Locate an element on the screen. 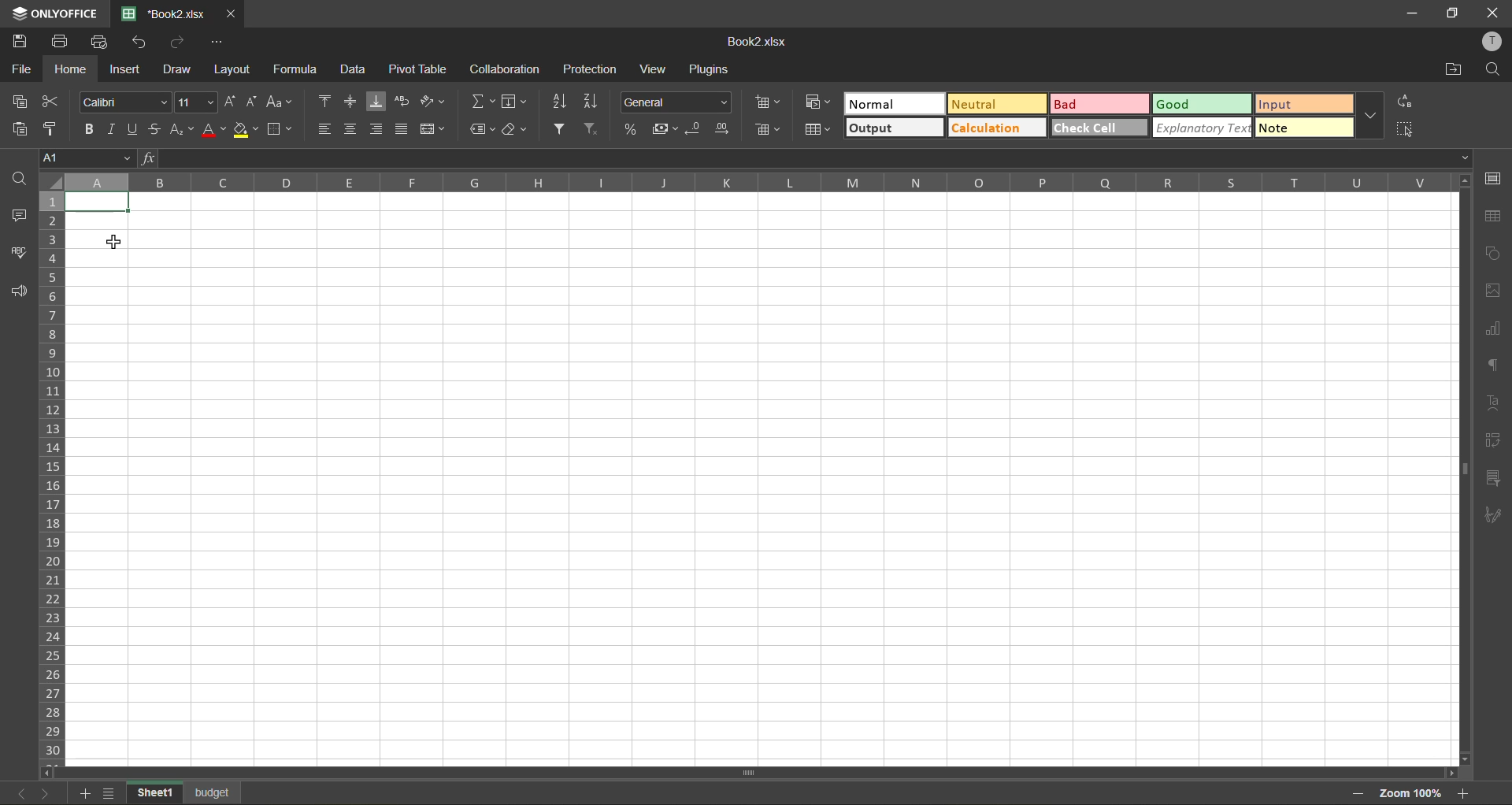 The image size is (1512, 805). sub/superscript is located at coordinates (183, 130).